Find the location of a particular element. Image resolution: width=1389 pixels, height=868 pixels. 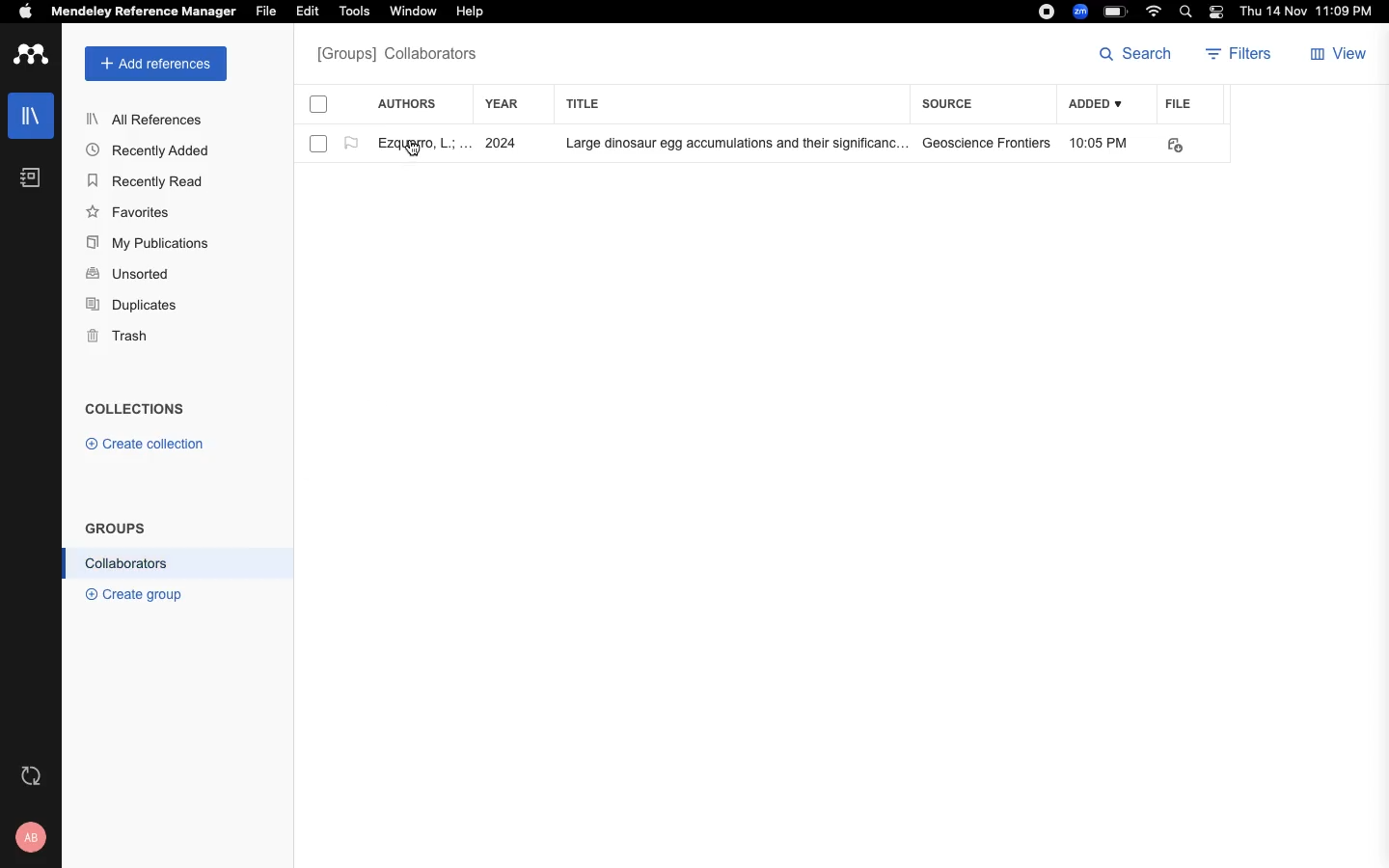

Duplicates is located at coordinates (133, 306).